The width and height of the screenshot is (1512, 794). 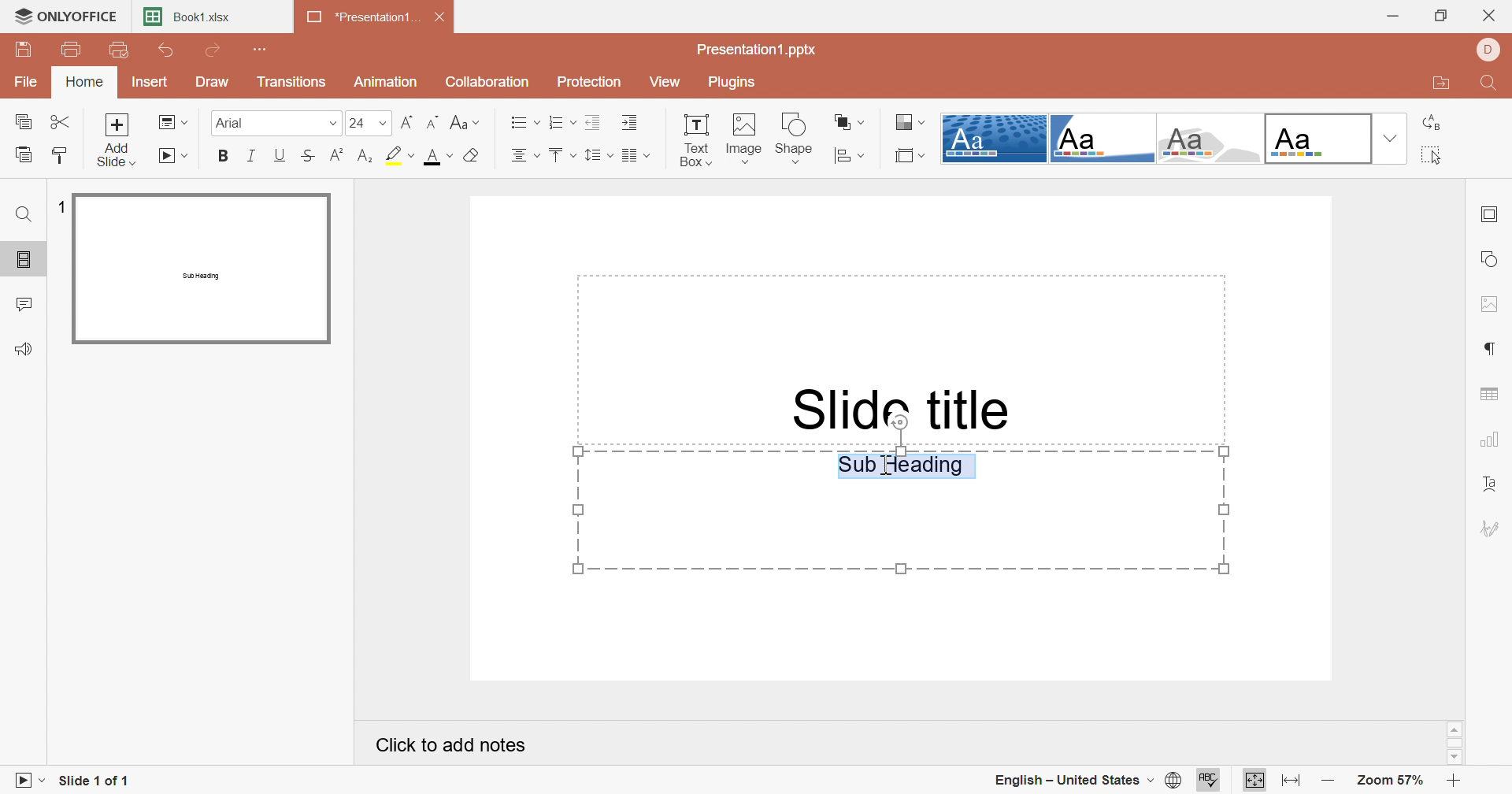 I want to click on Subscript, so click(x=367, y=155).